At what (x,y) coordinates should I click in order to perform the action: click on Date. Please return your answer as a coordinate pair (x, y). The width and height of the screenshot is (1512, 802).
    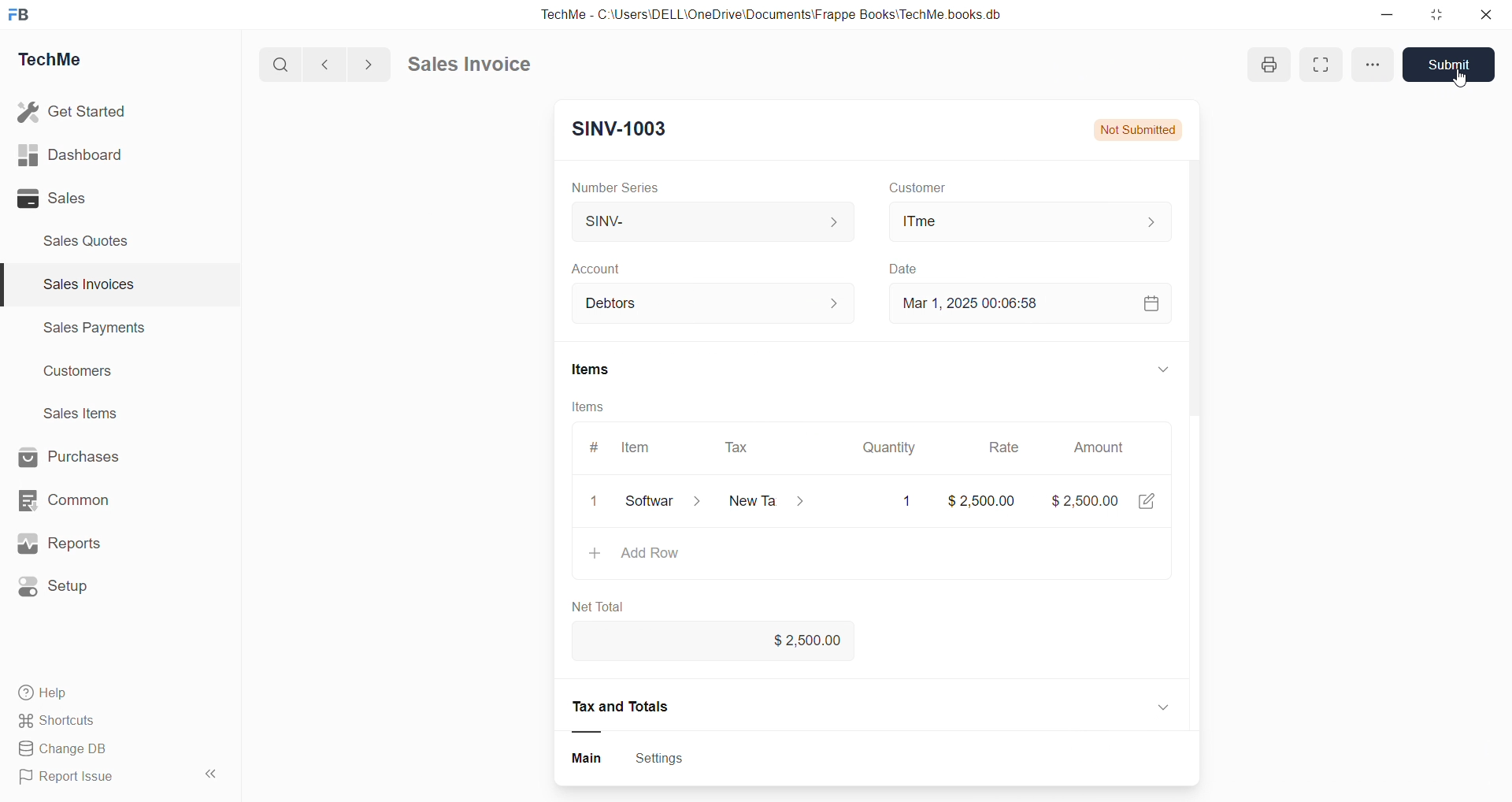
    Looking at the image, I should click on (924, 268).